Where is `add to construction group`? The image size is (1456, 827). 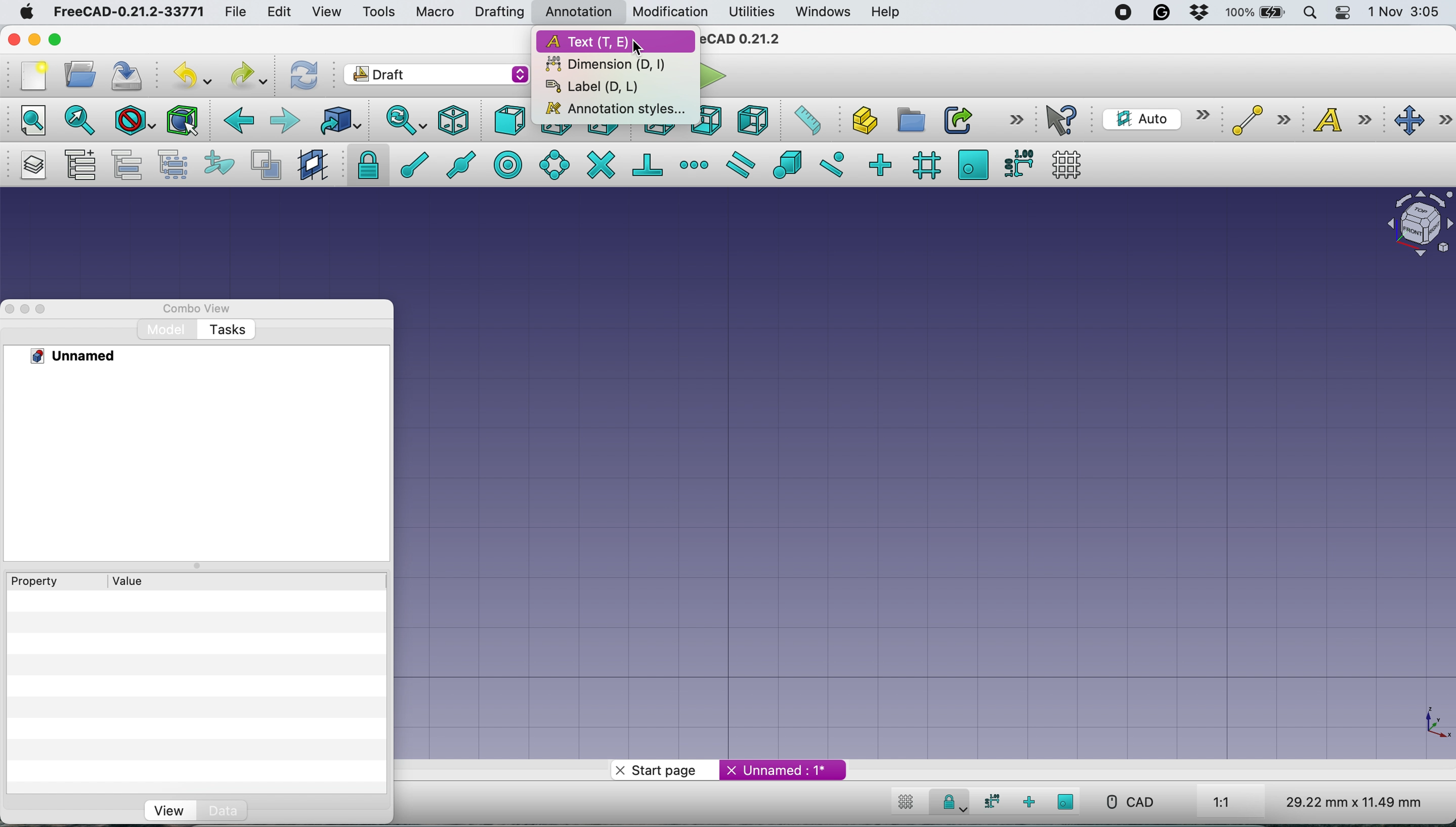 add to construction group is located at coordinates (218, 165).